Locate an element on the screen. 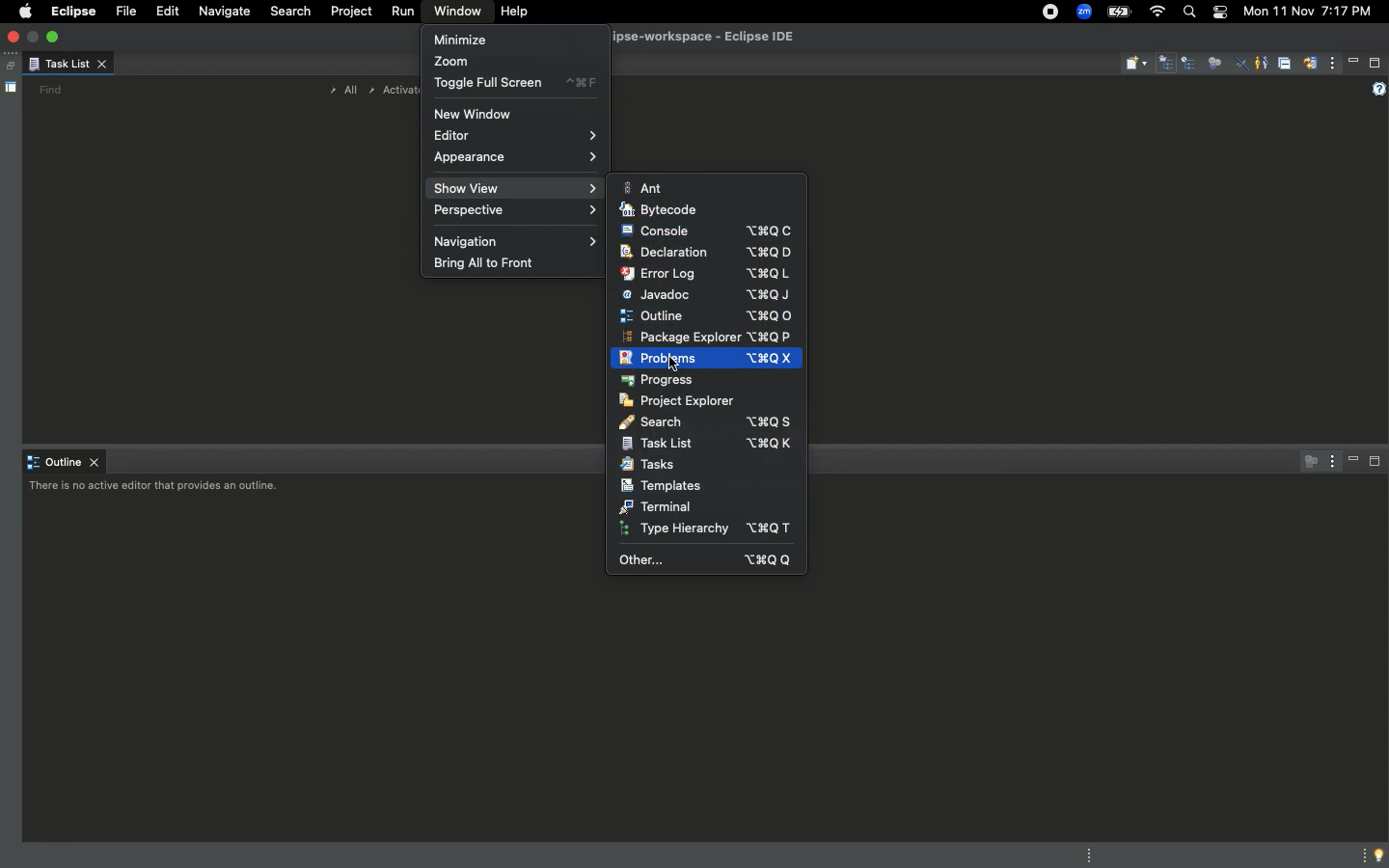  There is no active editor is located at coordinates (157, 489).